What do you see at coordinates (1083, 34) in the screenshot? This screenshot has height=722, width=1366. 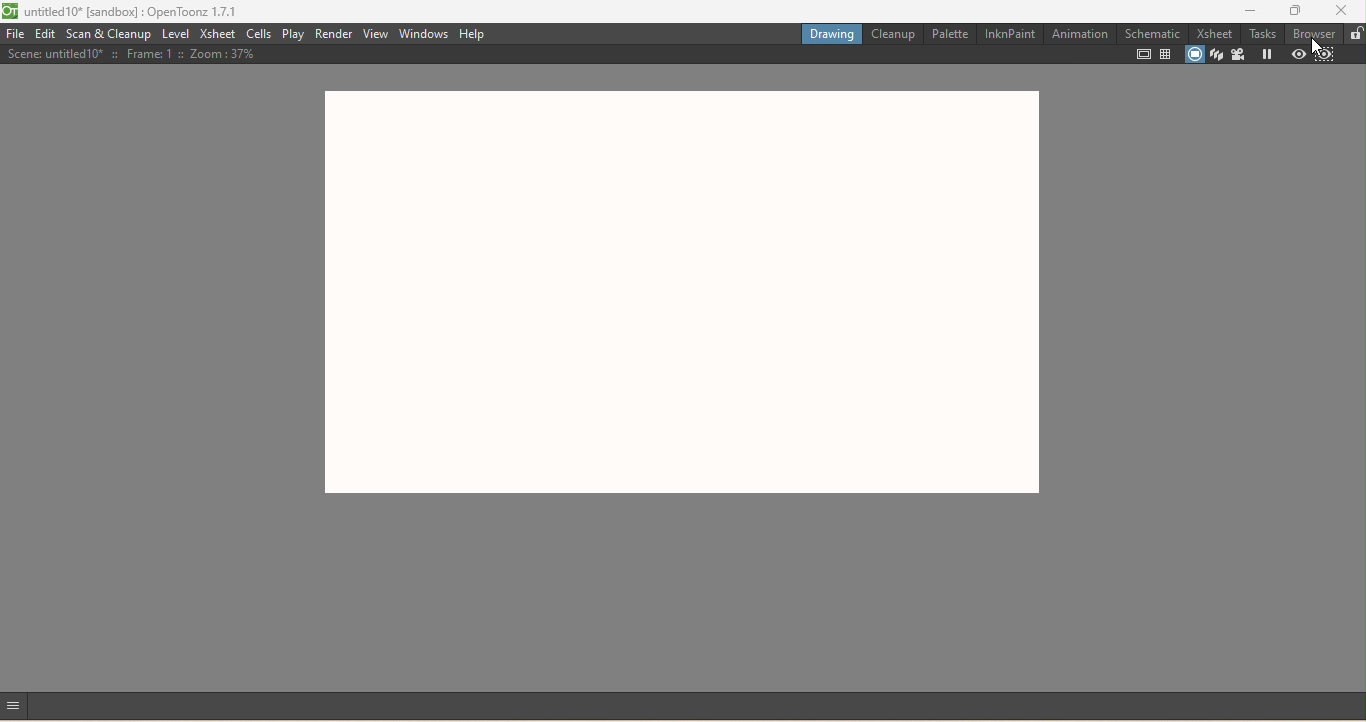 I see `Animation` at bounding box center [1083, 34].